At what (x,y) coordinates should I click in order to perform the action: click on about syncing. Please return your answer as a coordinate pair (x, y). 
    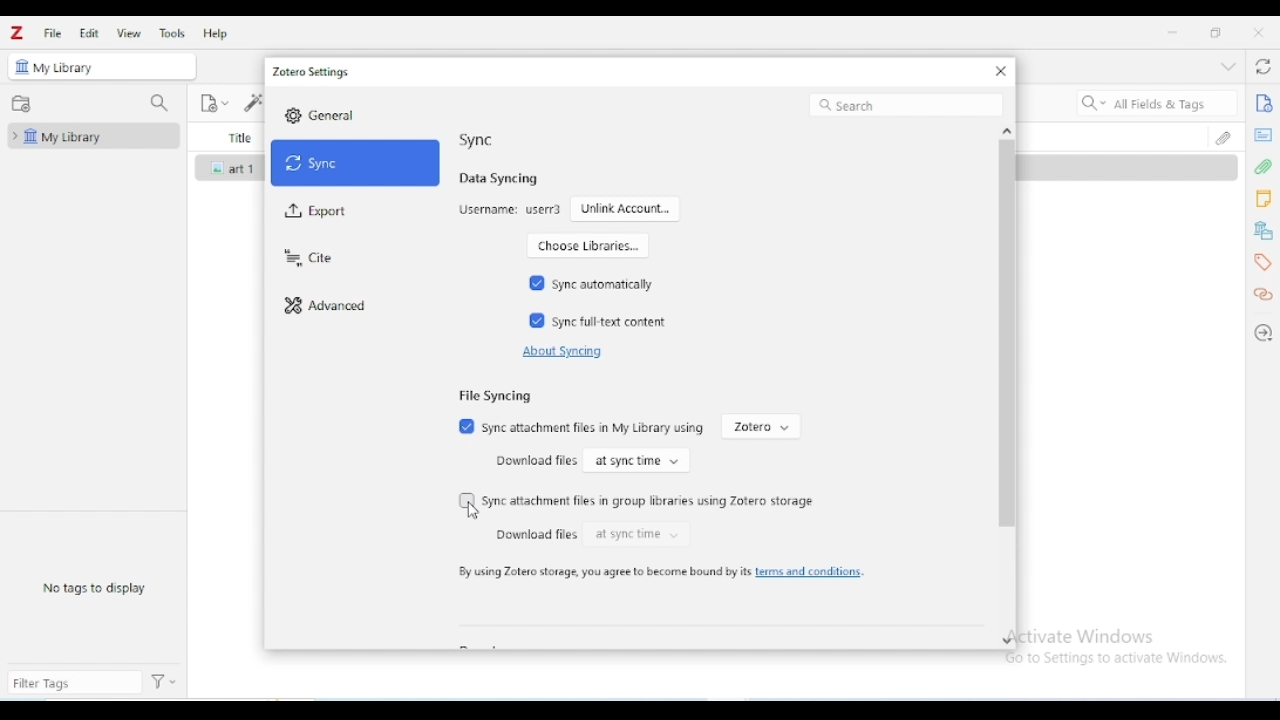
    Looking at the image, I should click on (560, 352).